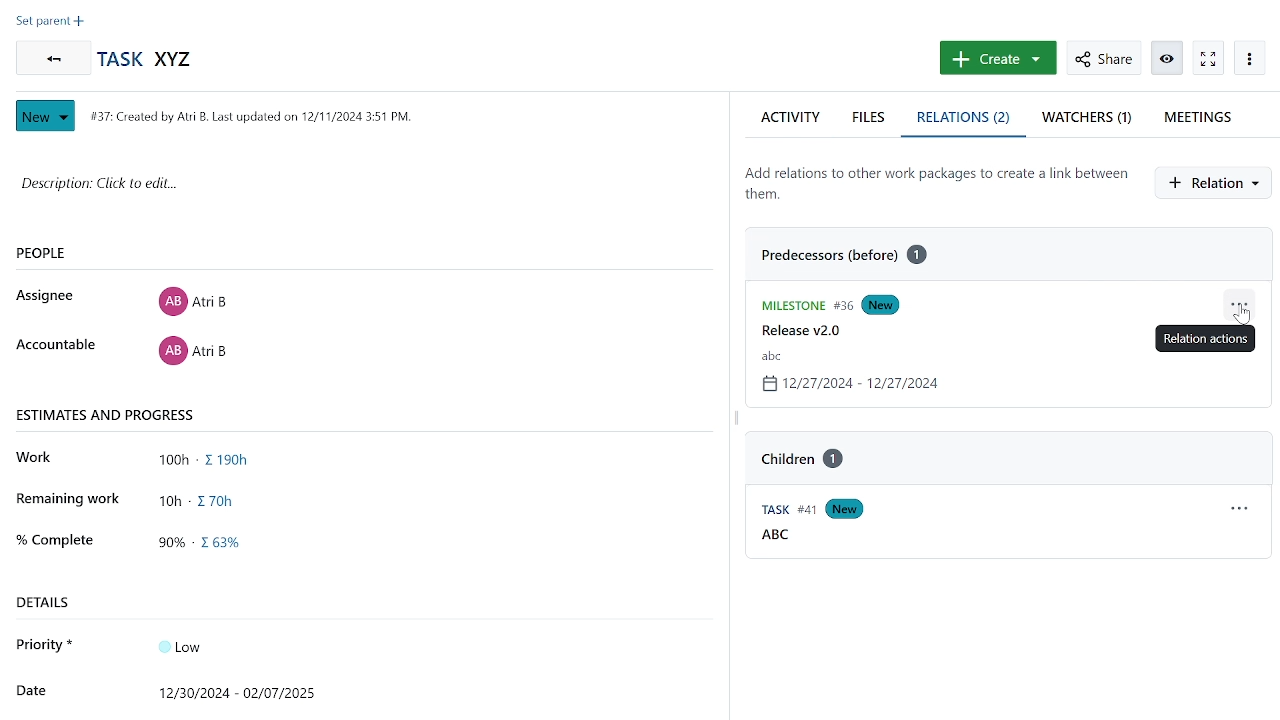 The width and height of the screenshot is (1280, 720). Describe the element at coordinates (46, 644) in the screenshot. I see `priority*` at that location.